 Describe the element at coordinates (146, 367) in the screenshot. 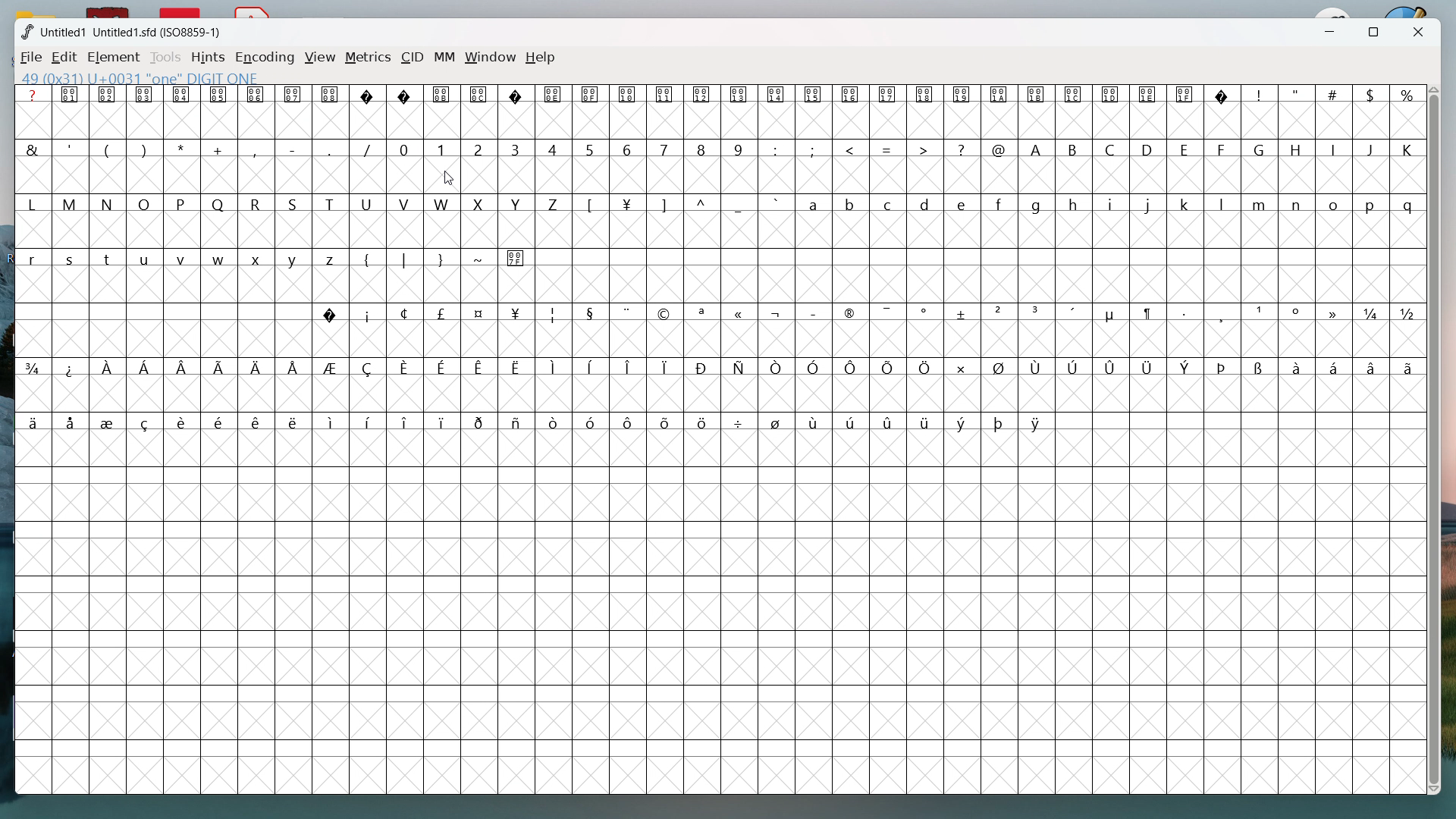

I see `symbol` at that location.